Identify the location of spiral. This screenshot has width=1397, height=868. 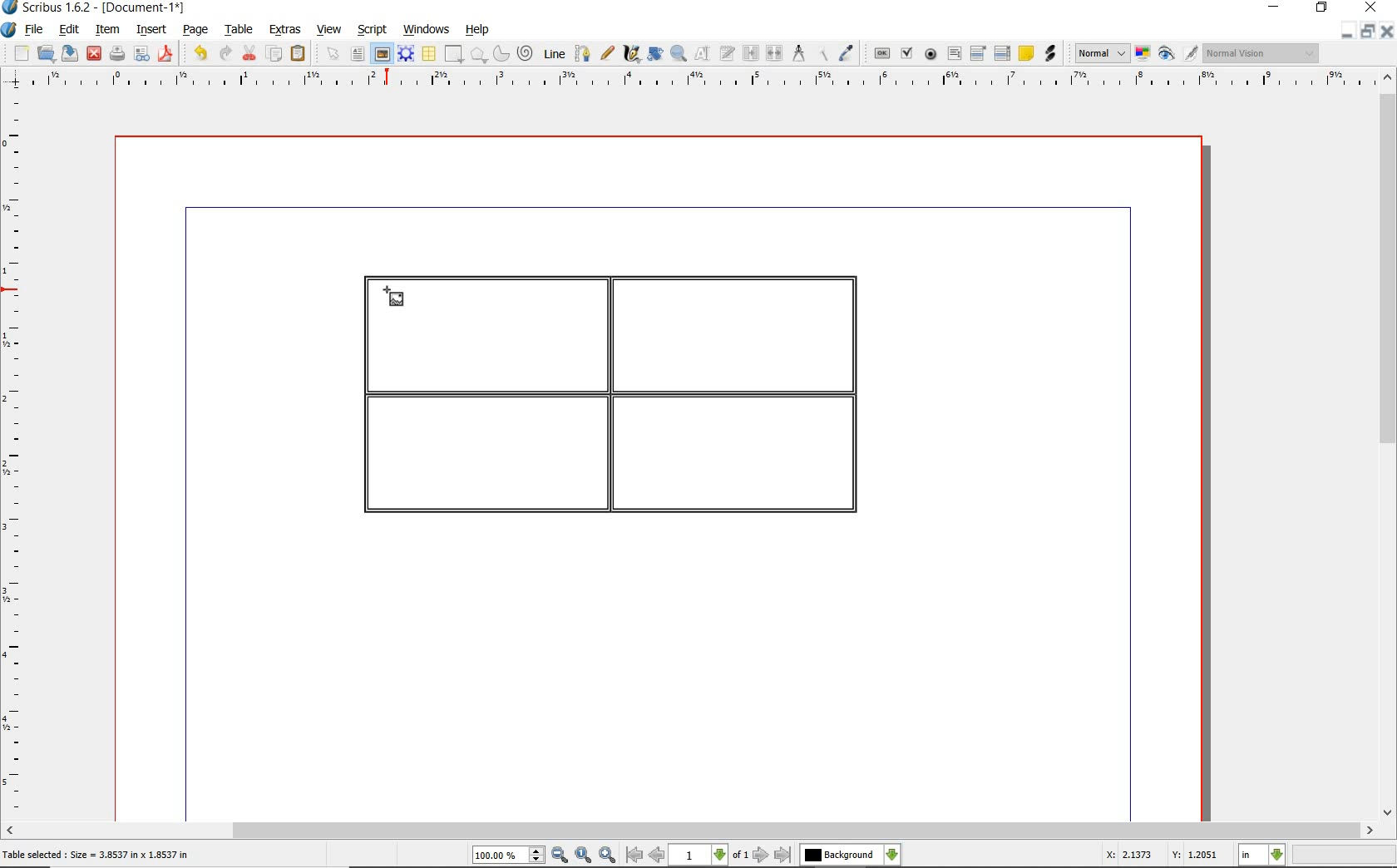
(526, 54).